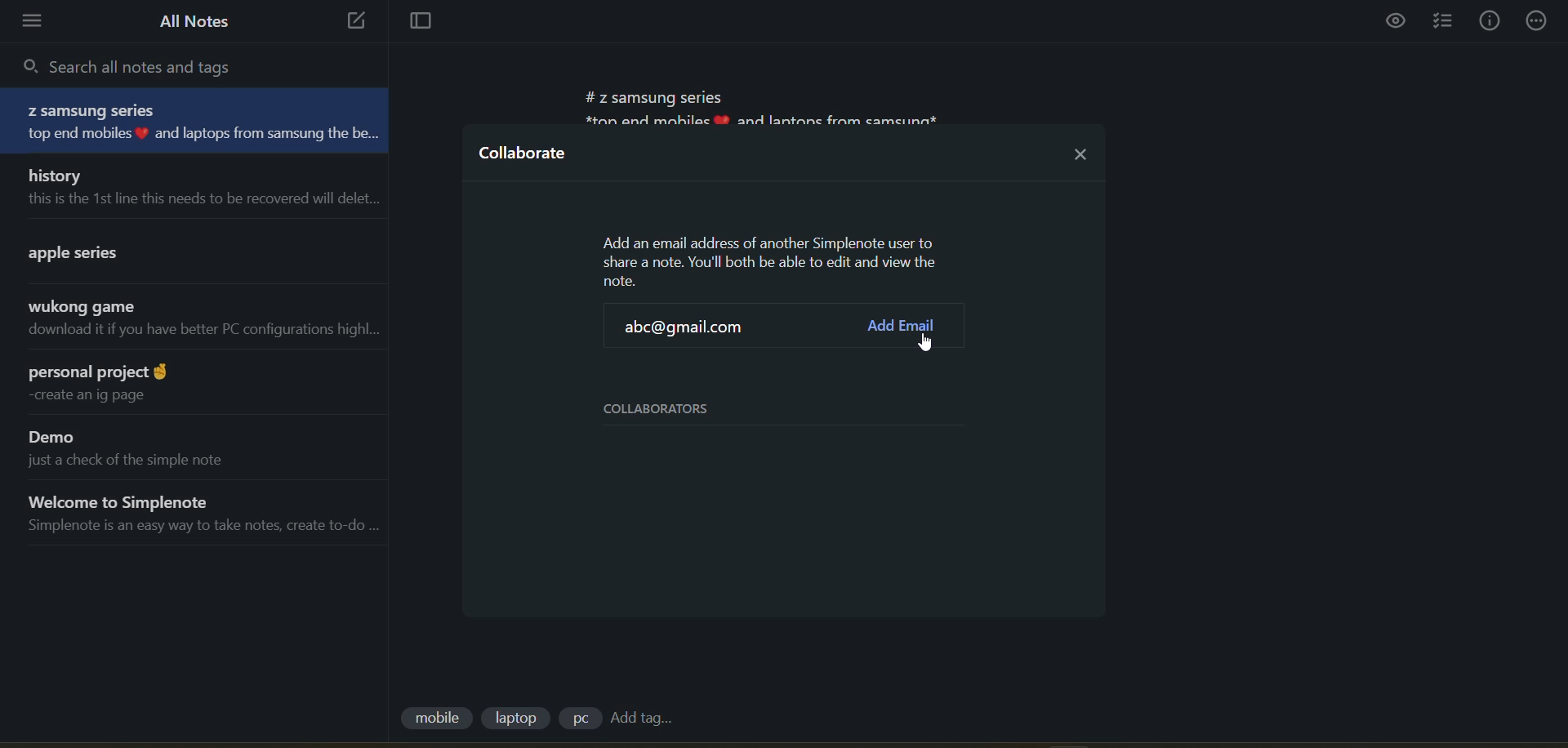 This screenshot has height=748, width=1568. Describe the element at coordinates (201, 122) in the screenshot. I see `note title and preview` at that location.